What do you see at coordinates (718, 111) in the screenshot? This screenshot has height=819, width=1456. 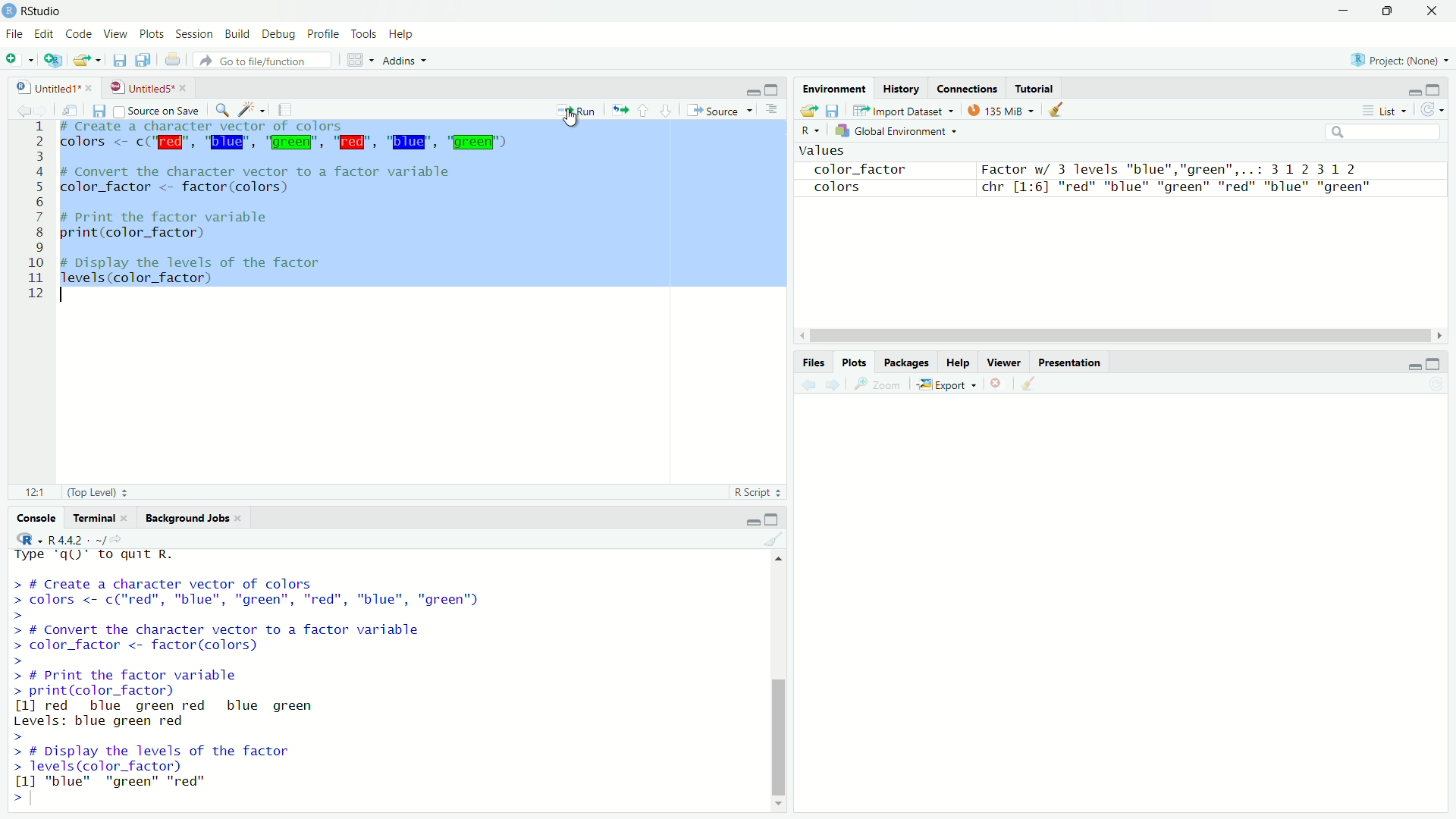 I see `source` at bounding box center [718, 111].